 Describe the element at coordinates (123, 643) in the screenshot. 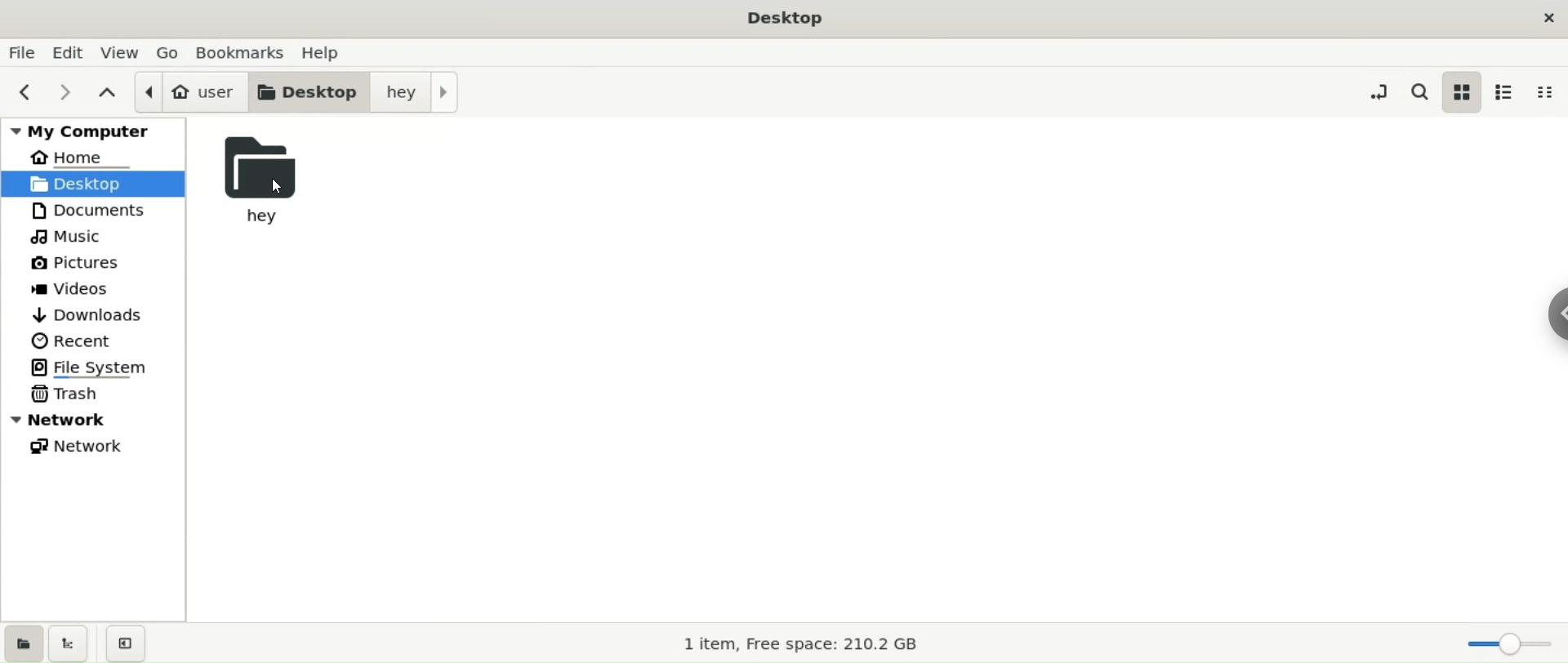

I see `close sidebars` at that location.